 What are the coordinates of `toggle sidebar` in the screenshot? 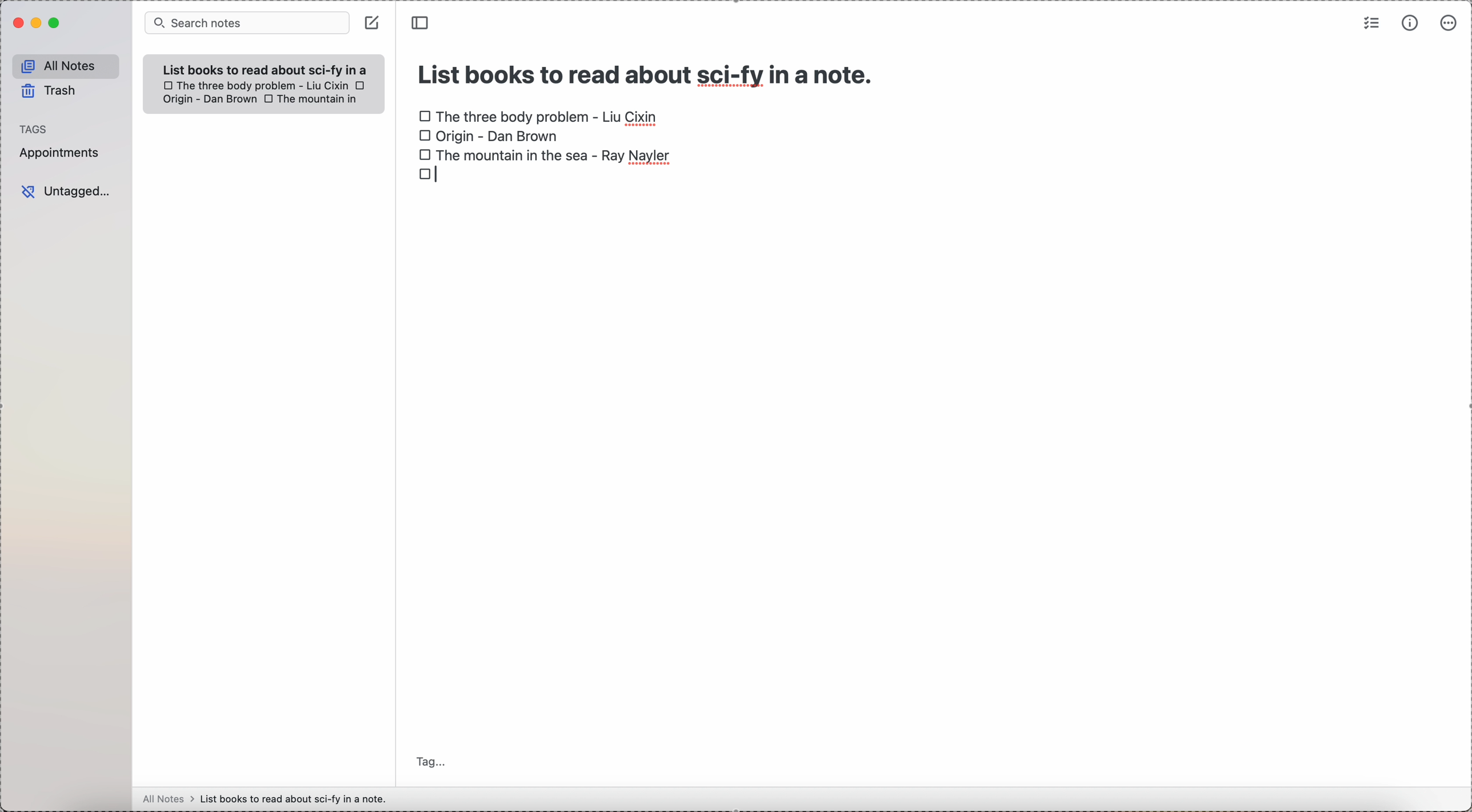 It's located at (422, 22).